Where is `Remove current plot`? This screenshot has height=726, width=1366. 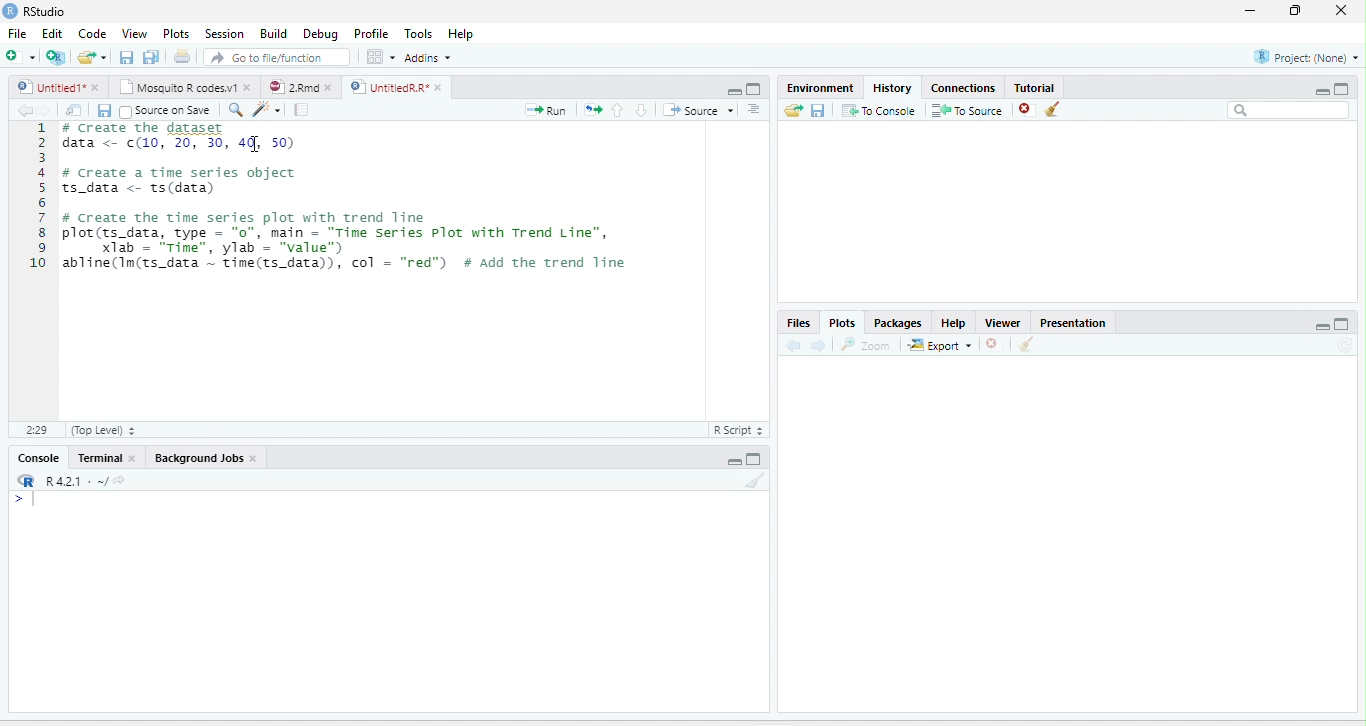
Remove current plot is located at coordinates (996, 343).